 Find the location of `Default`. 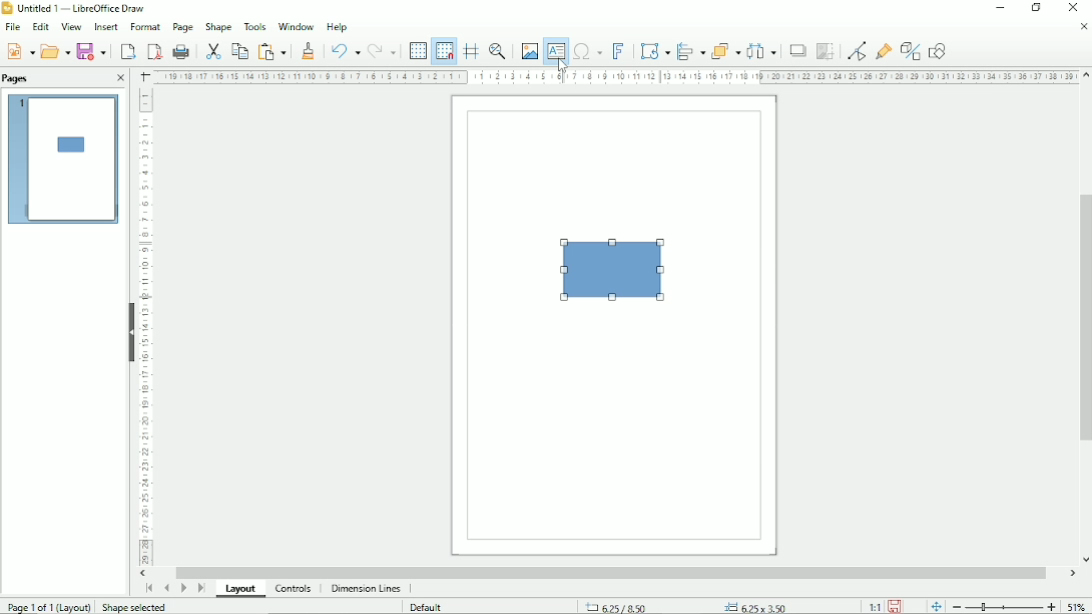

Default is located at coordinates (428, 606).